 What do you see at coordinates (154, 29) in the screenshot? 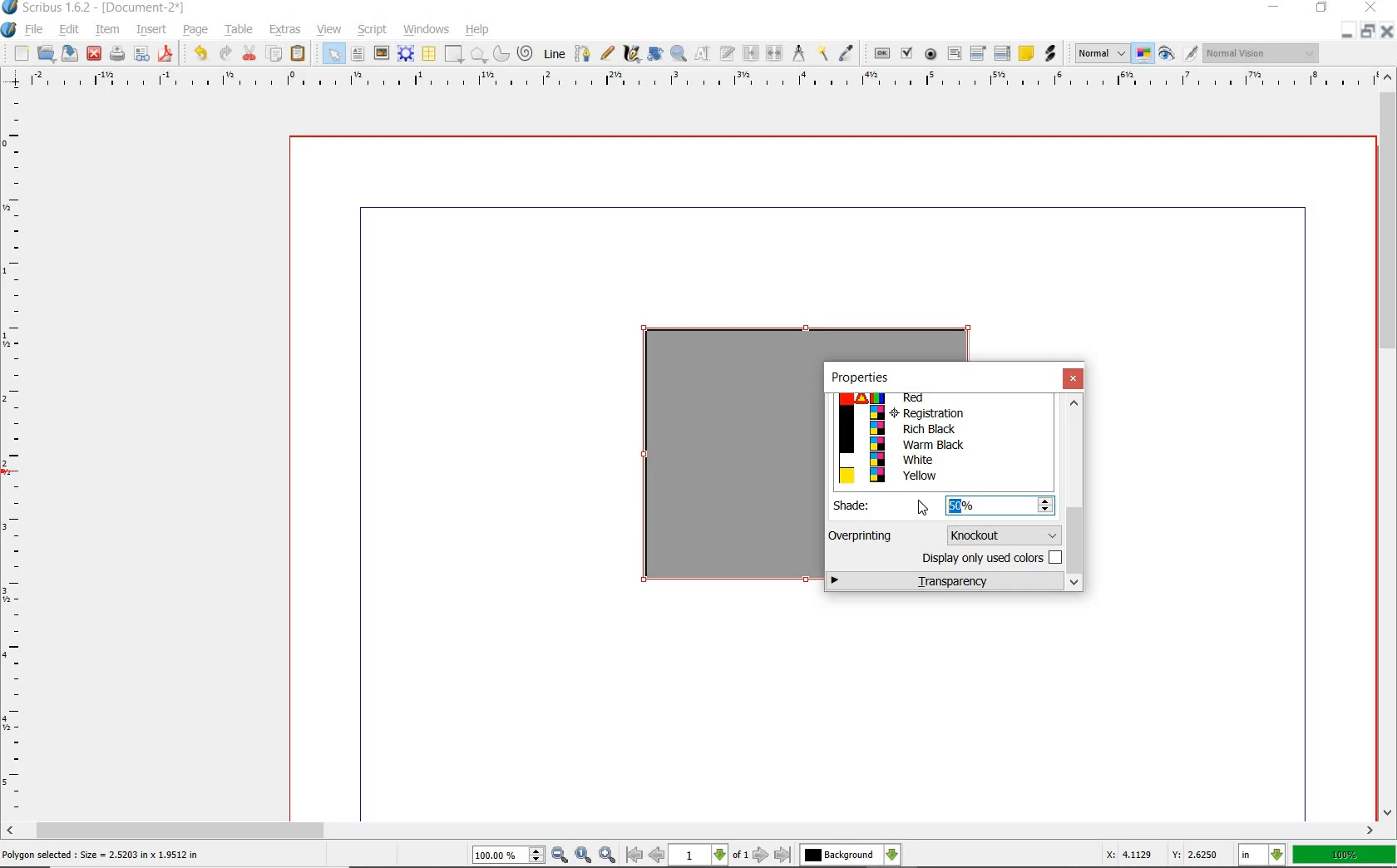
I see `insert` at bounding box center [154, 29].